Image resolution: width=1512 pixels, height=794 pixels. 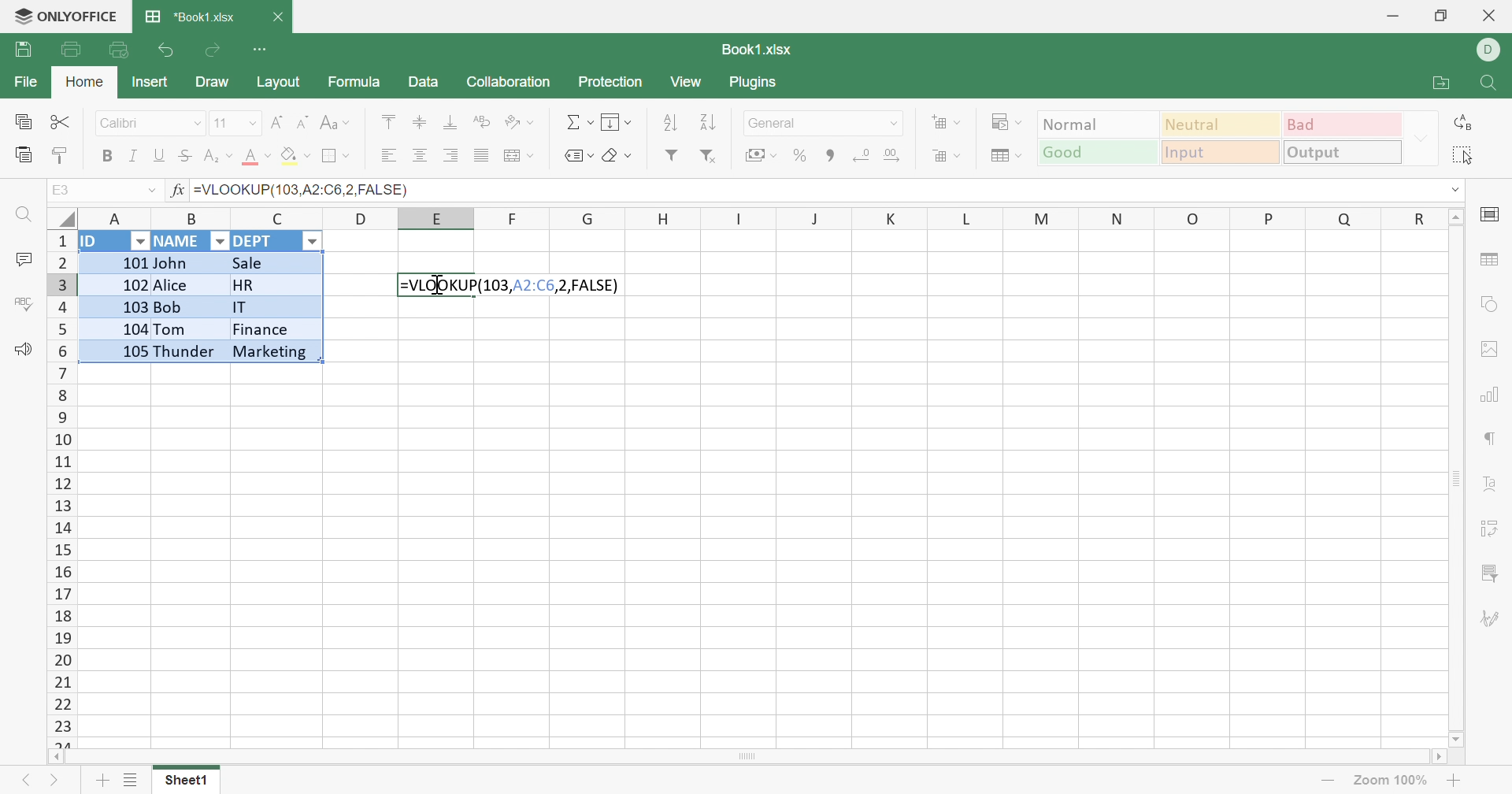 I want to click on shape settings, so click(x=1488, y=304).